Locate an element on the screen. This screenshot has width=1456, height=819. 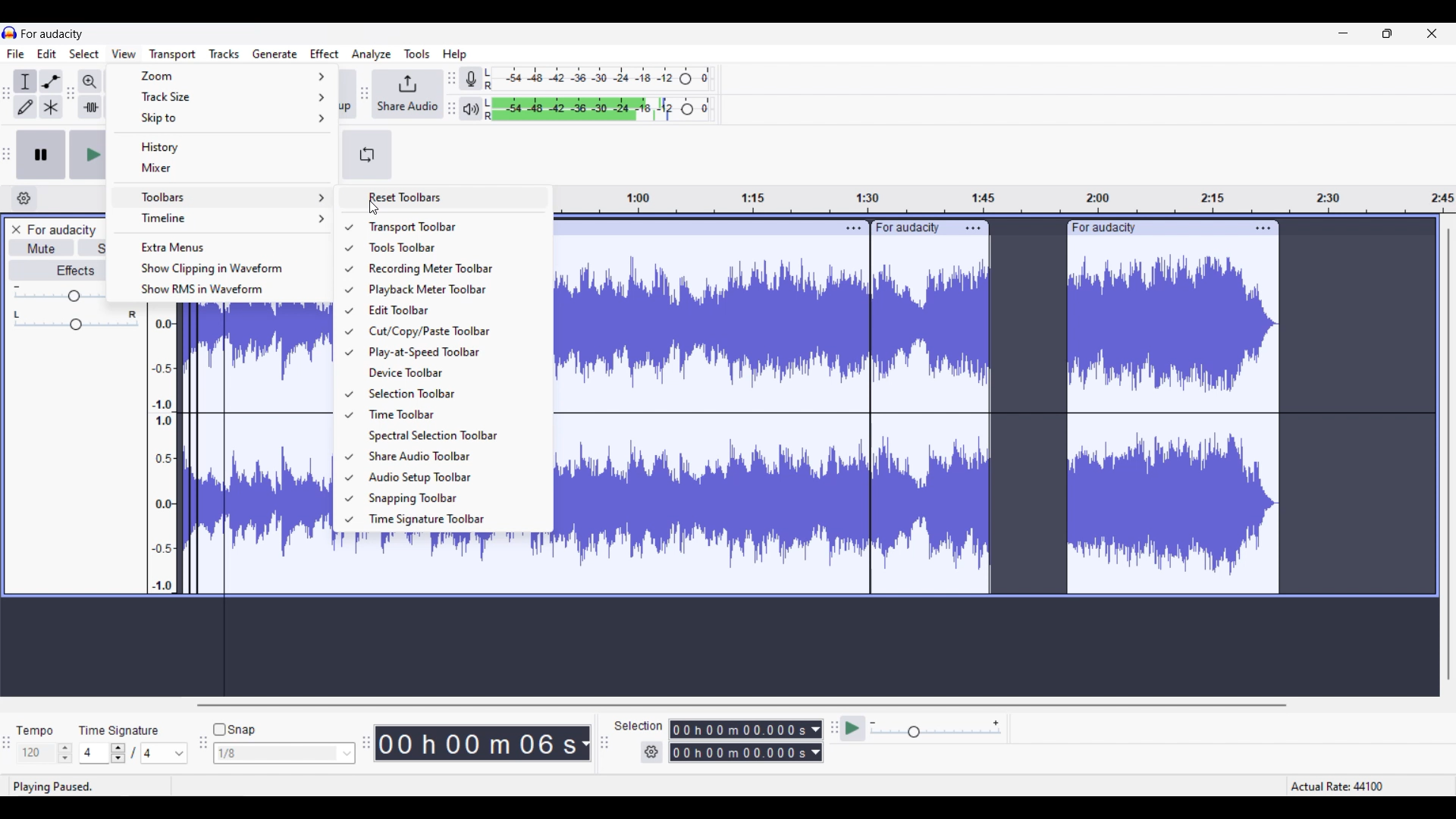
Vertical slide bar is located at coordinates (1448, 453).